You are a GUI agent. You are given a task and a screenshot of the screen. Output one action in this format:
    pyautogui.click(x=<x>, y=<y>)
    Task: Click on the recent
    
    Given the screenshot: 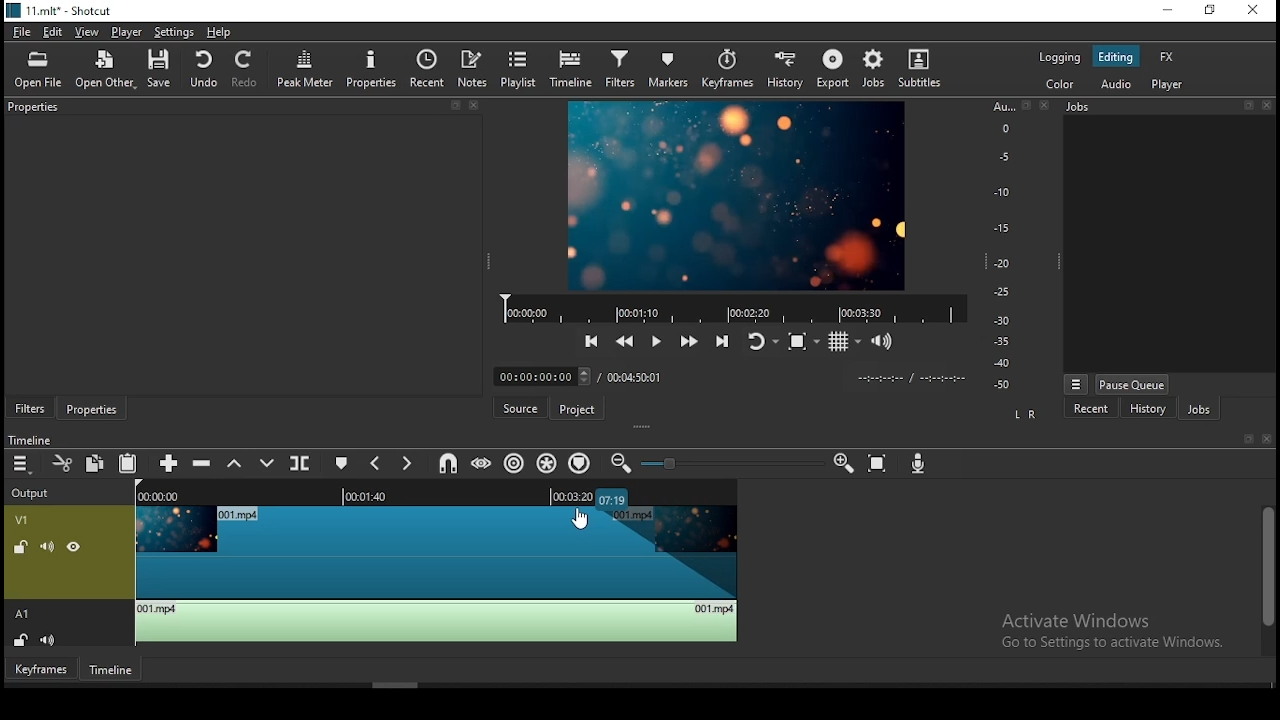 What is the action you would take?
    pyautogui.click(x=429, y=70)
    